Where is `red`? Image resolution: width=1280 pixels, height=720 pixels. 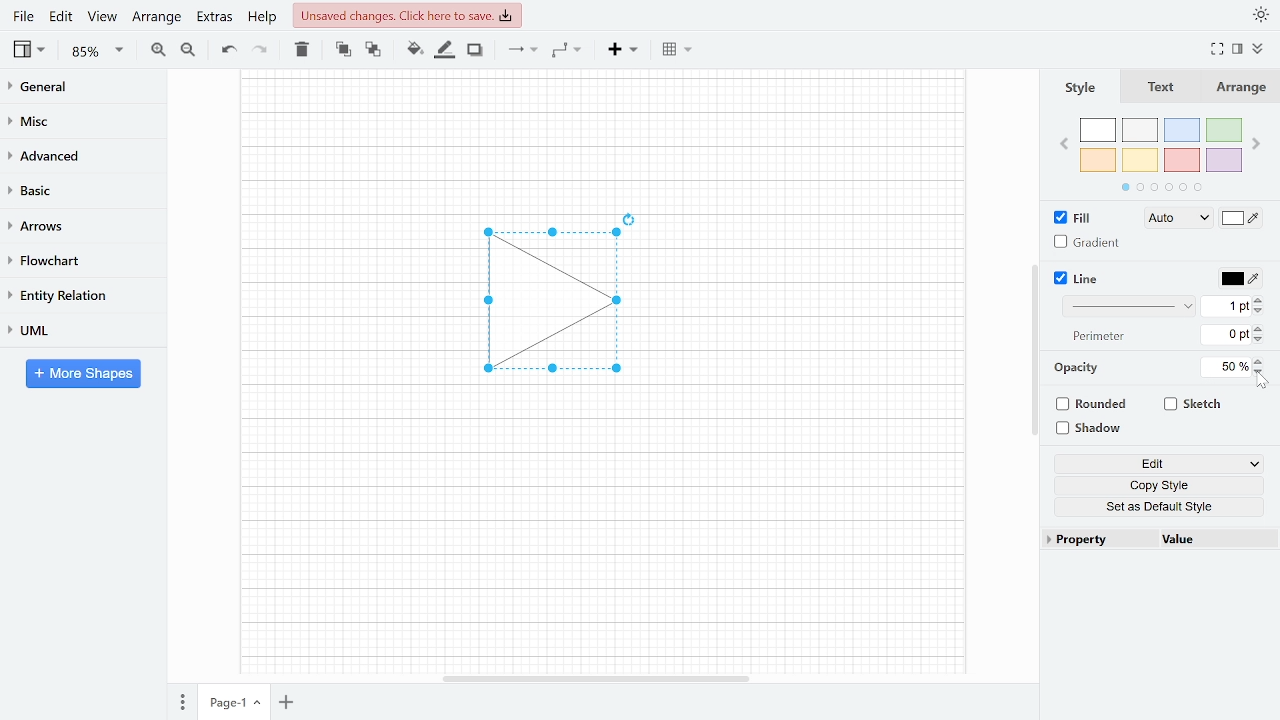 red is located at coordinates (1182, 161).